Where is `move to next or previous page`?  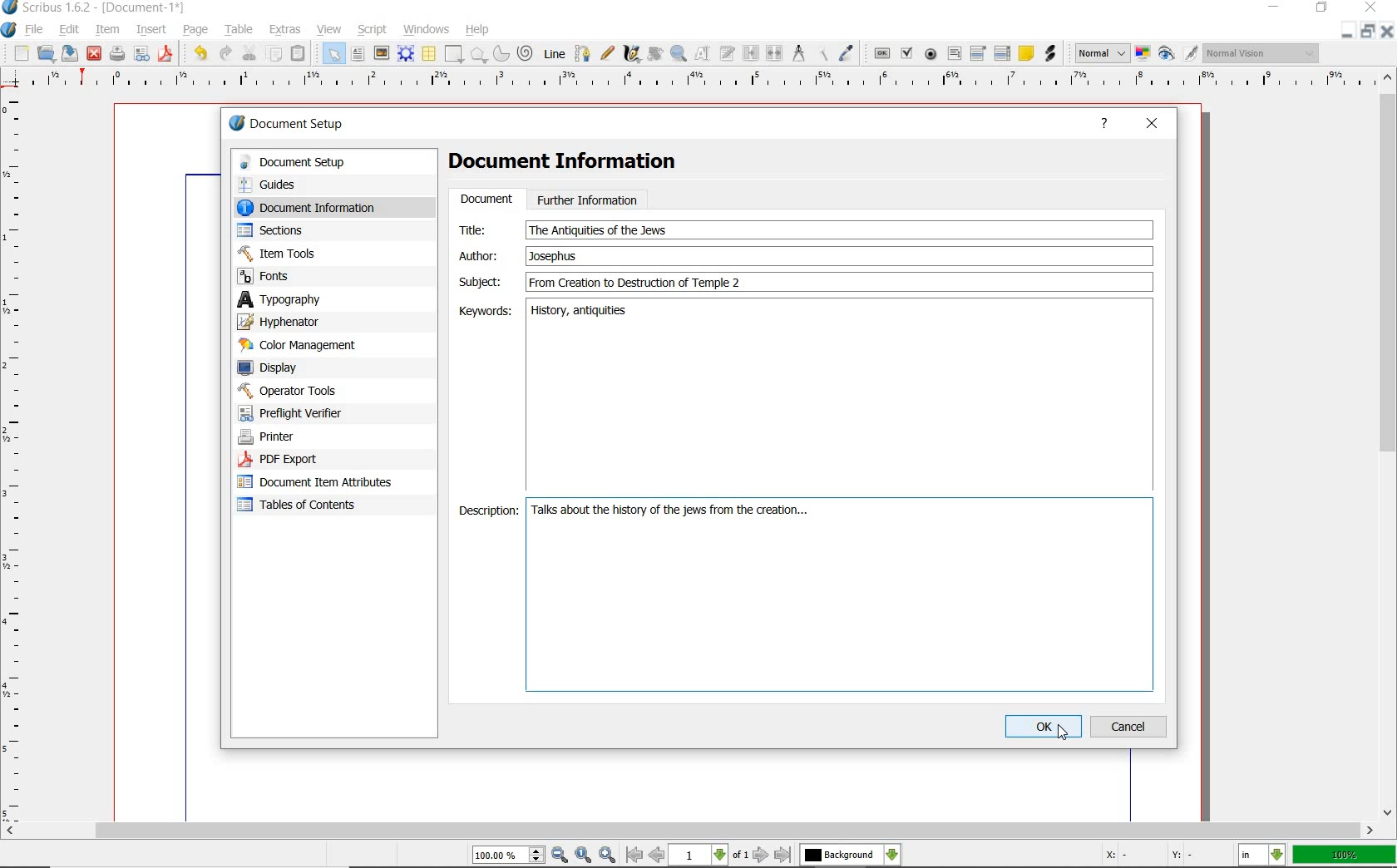
move to next or previous page is located at coordinates (710, 856).